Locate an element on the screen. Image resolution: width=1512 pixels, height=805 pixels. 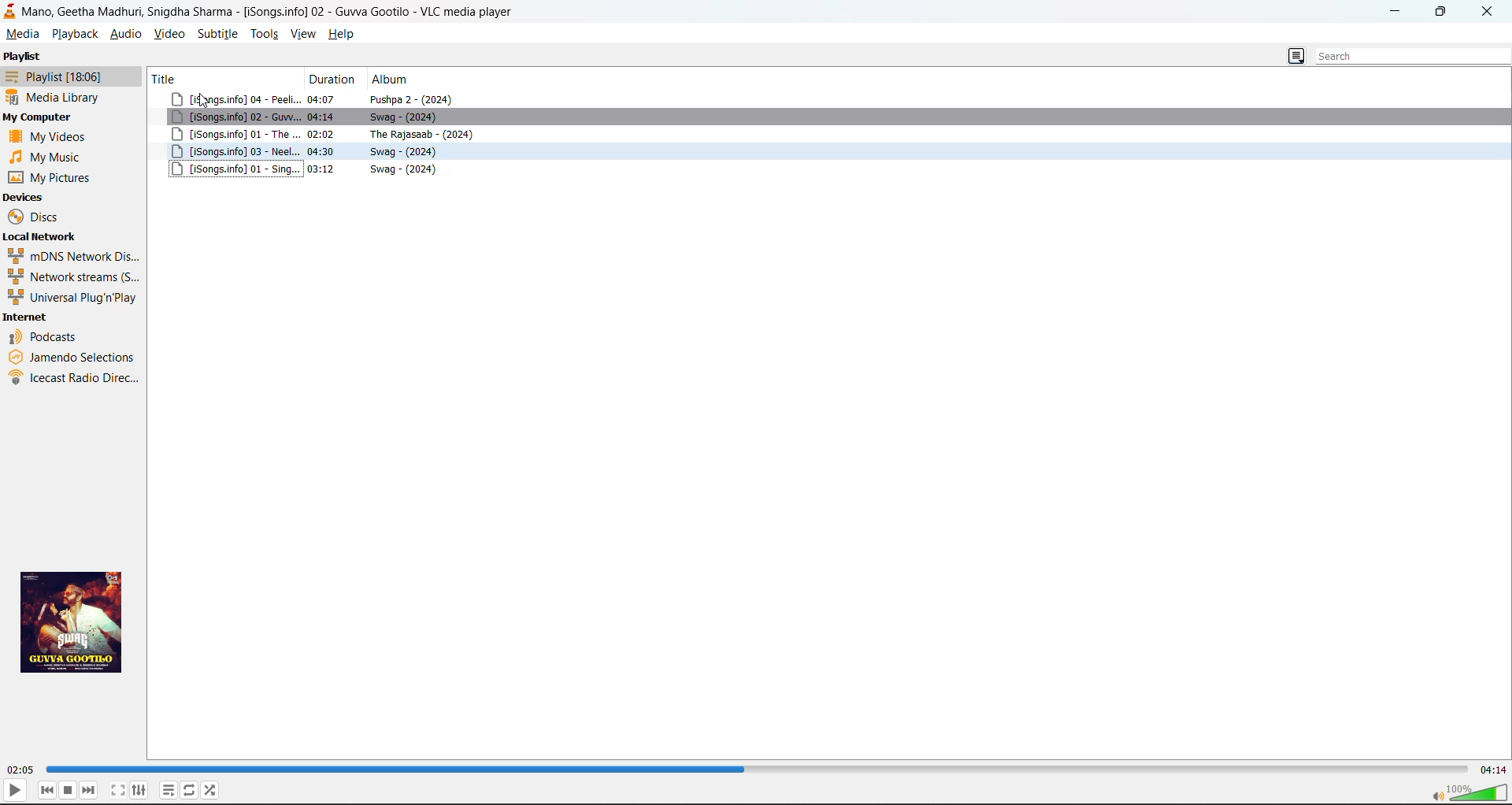
tools is located at coordinates (265, 33).